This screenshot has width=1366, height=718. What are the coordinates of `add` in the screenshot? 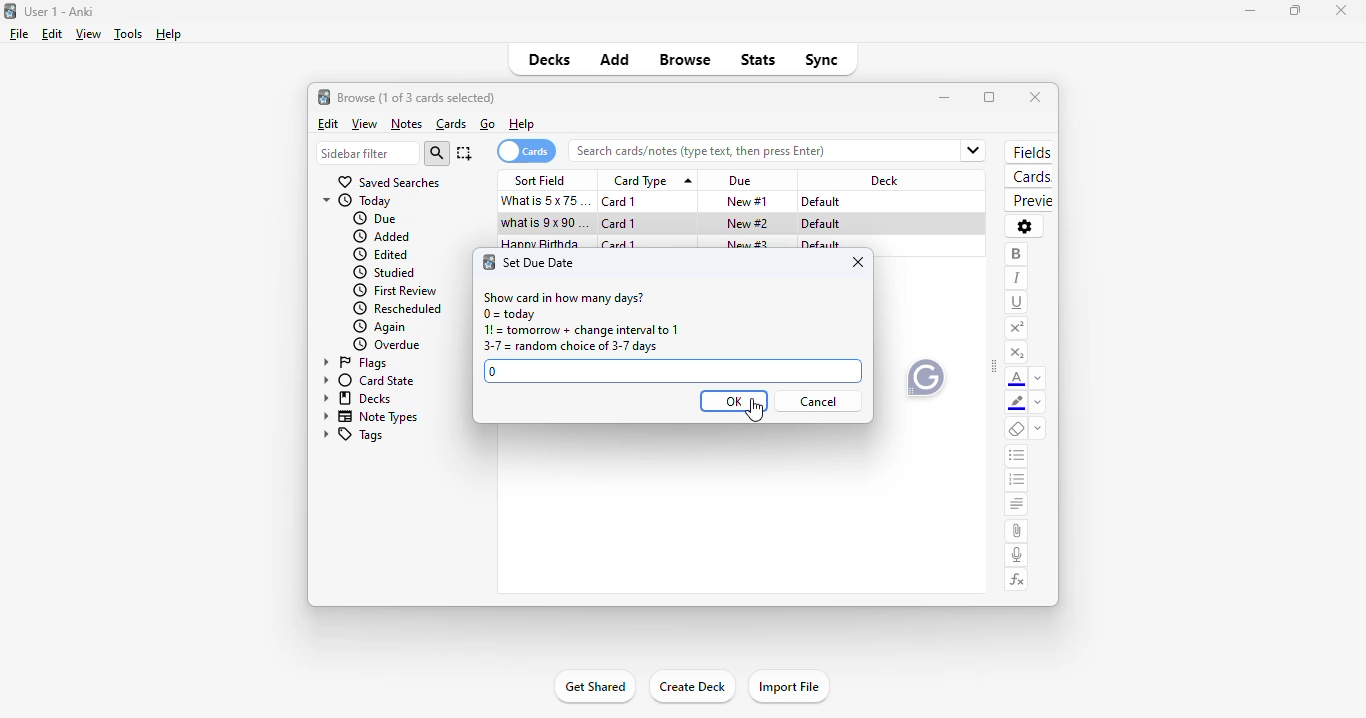 It's located at (616, 58).